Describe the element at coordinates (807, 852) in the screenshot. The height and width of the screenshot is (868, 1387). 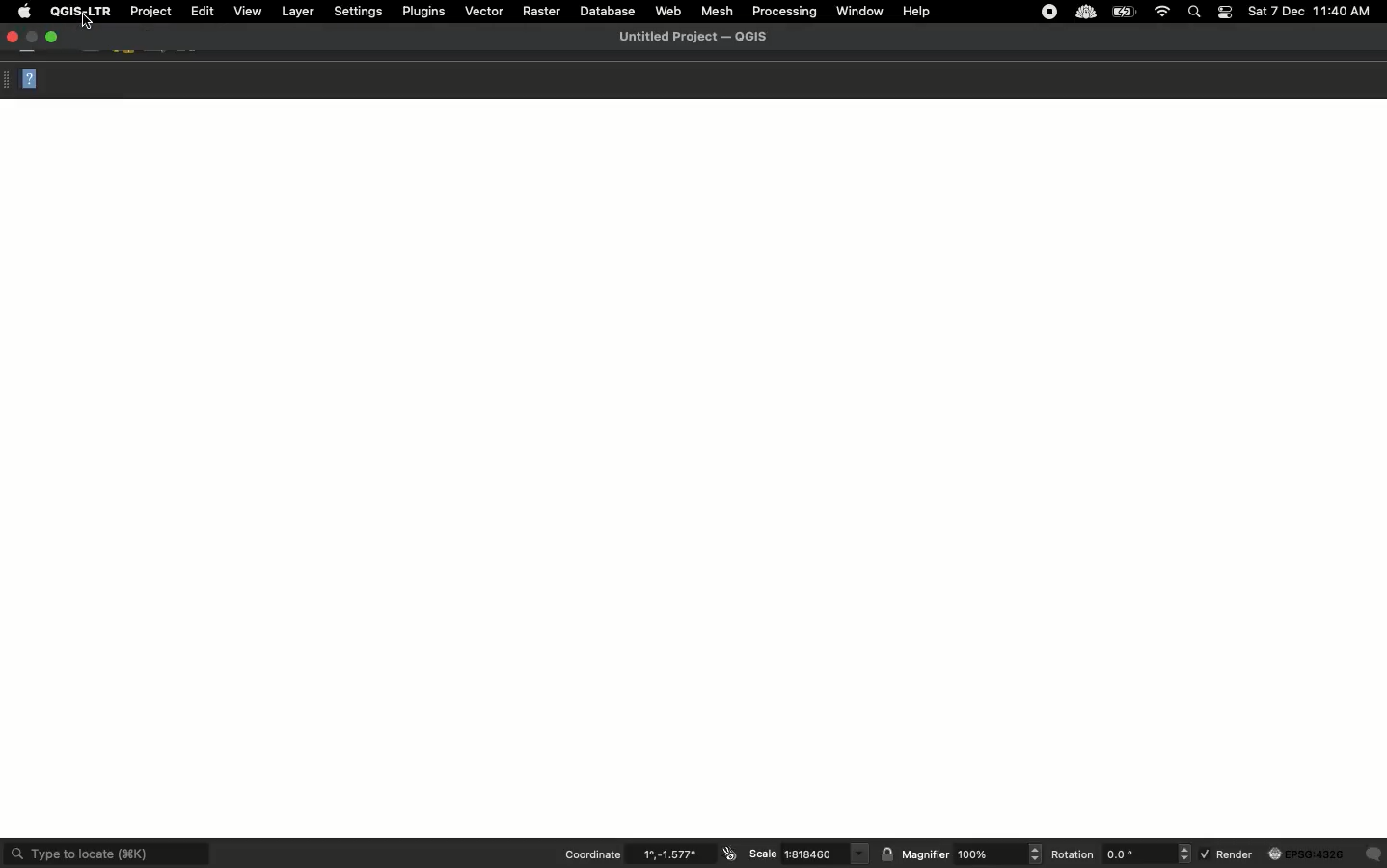
I see `Scale` at that location.